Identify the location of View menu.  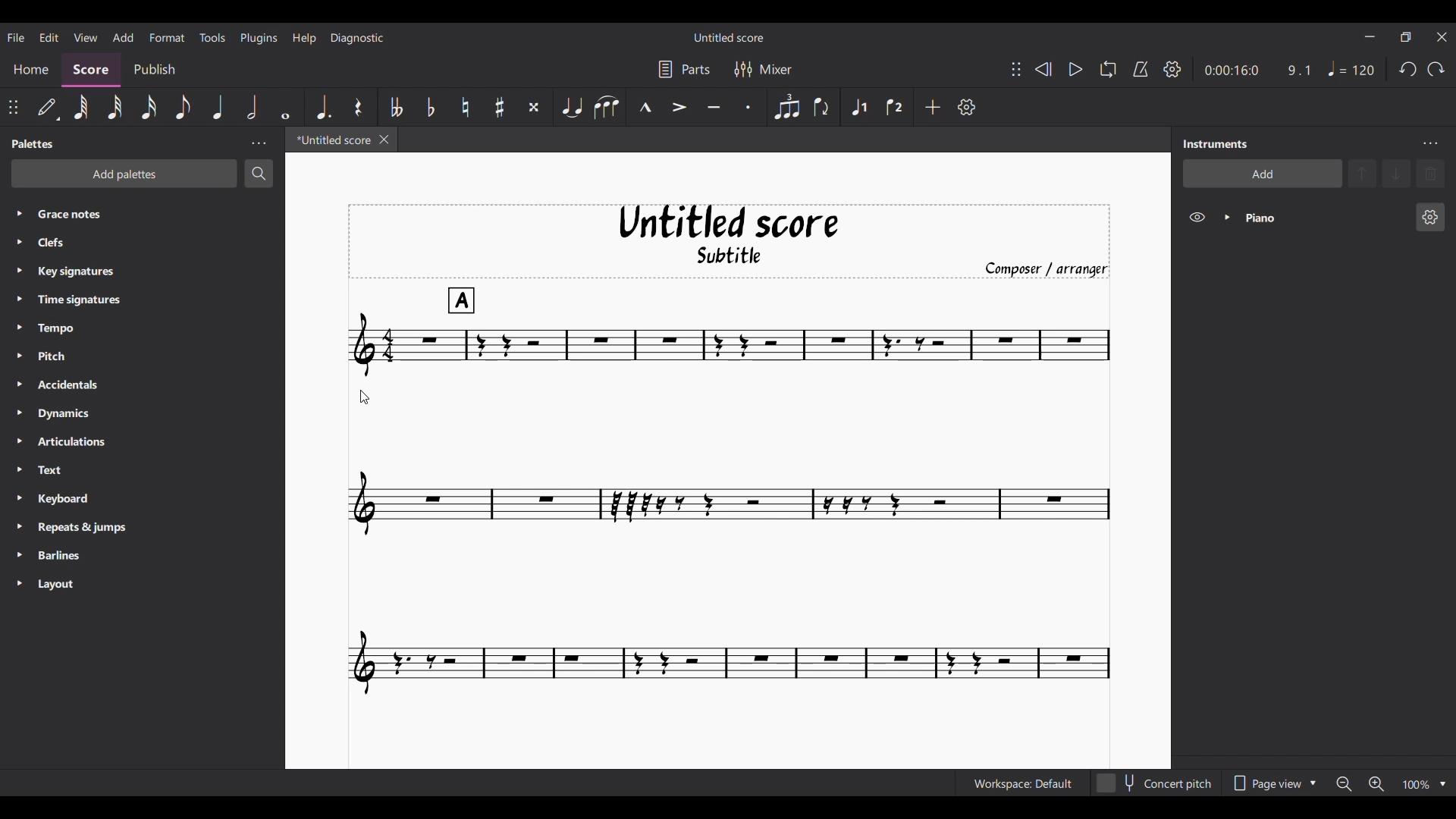
(84, 36).